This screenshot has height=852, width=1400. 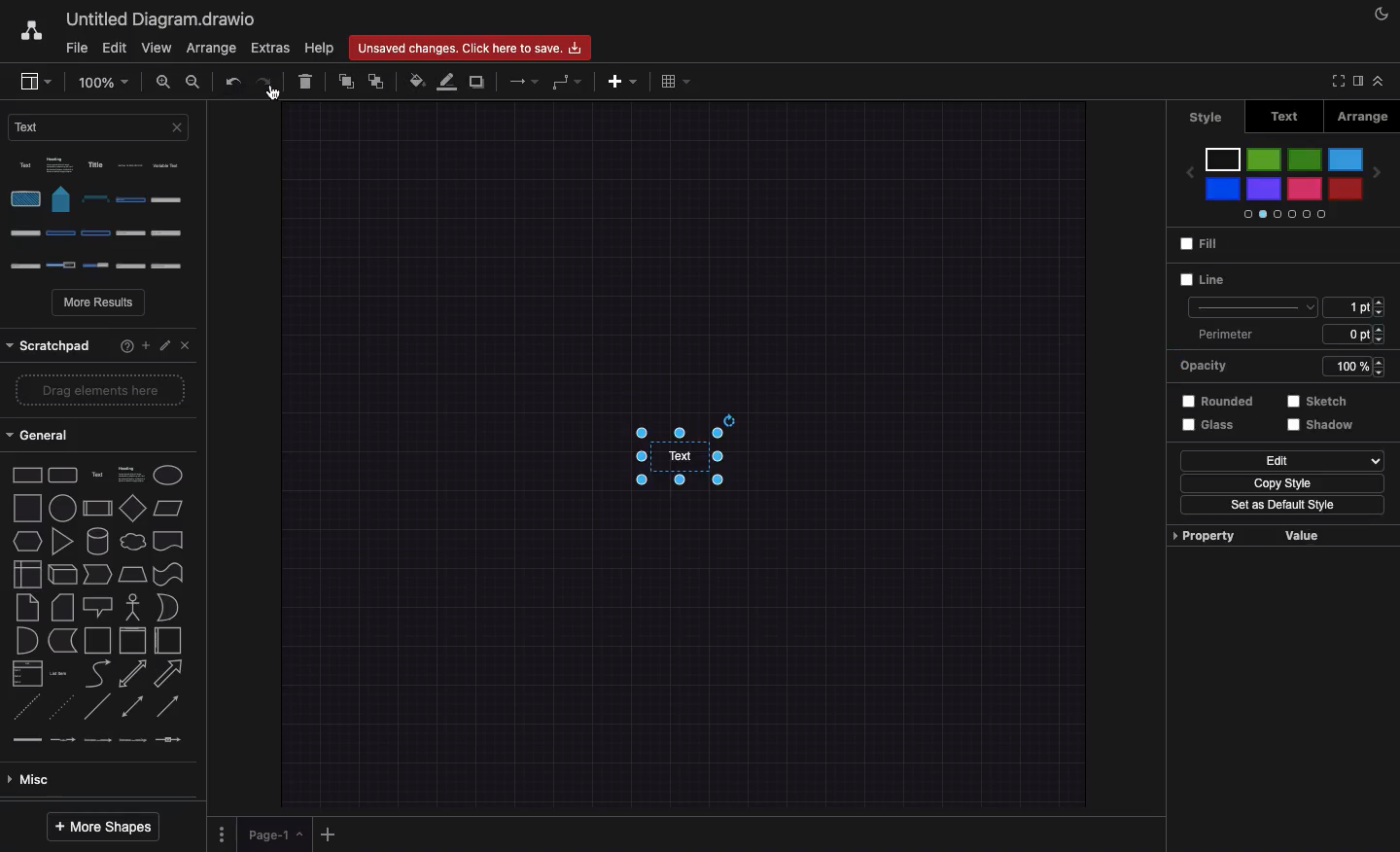 I want to click on More shapes, so click(x=101, y=827).